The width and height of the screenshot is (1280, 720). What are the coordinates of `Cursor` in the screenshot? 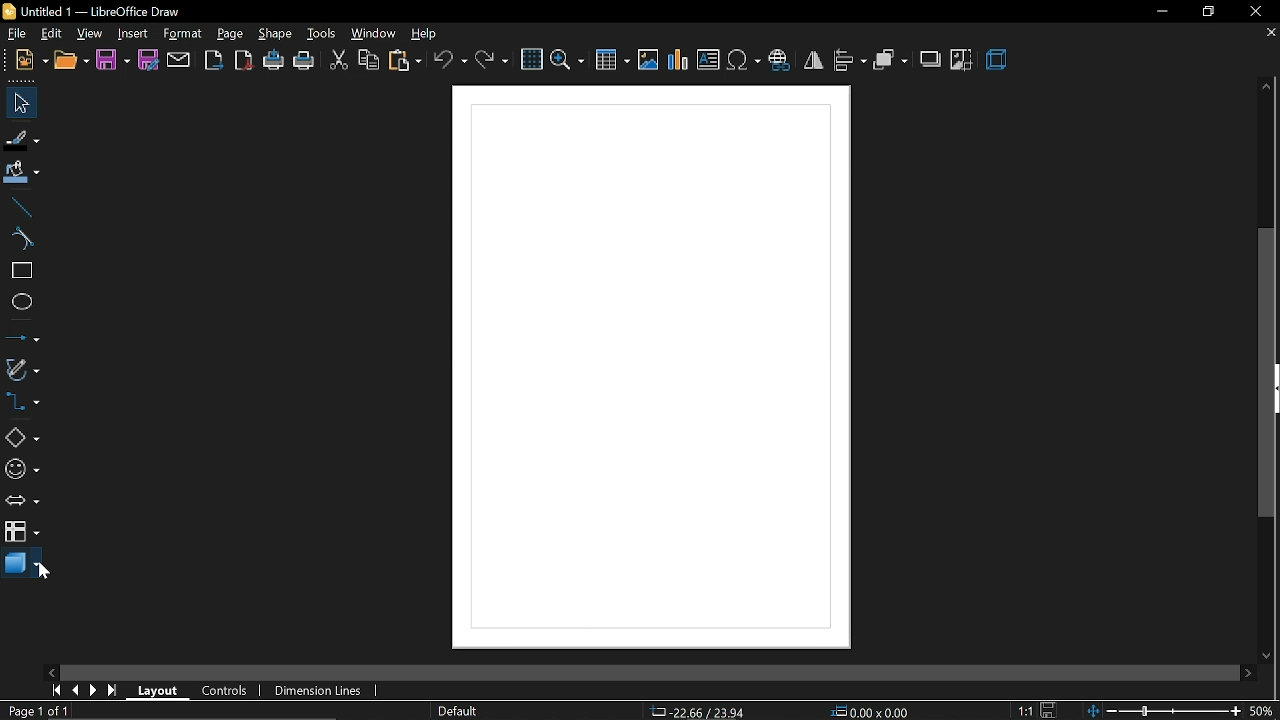 It's located at (41, 569).